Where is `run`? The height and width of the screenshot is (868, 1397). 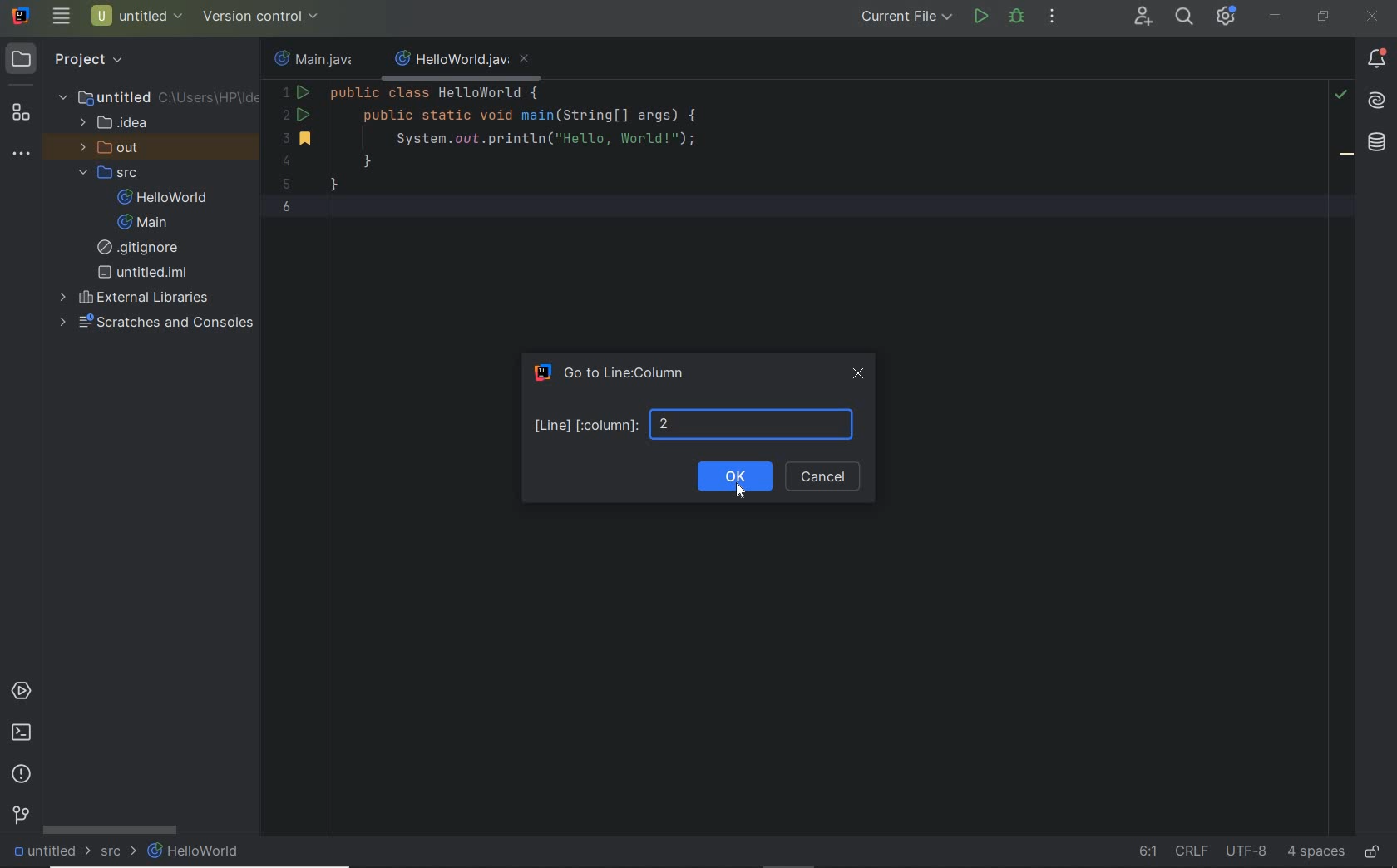
run is located at coordinates (981, 17).